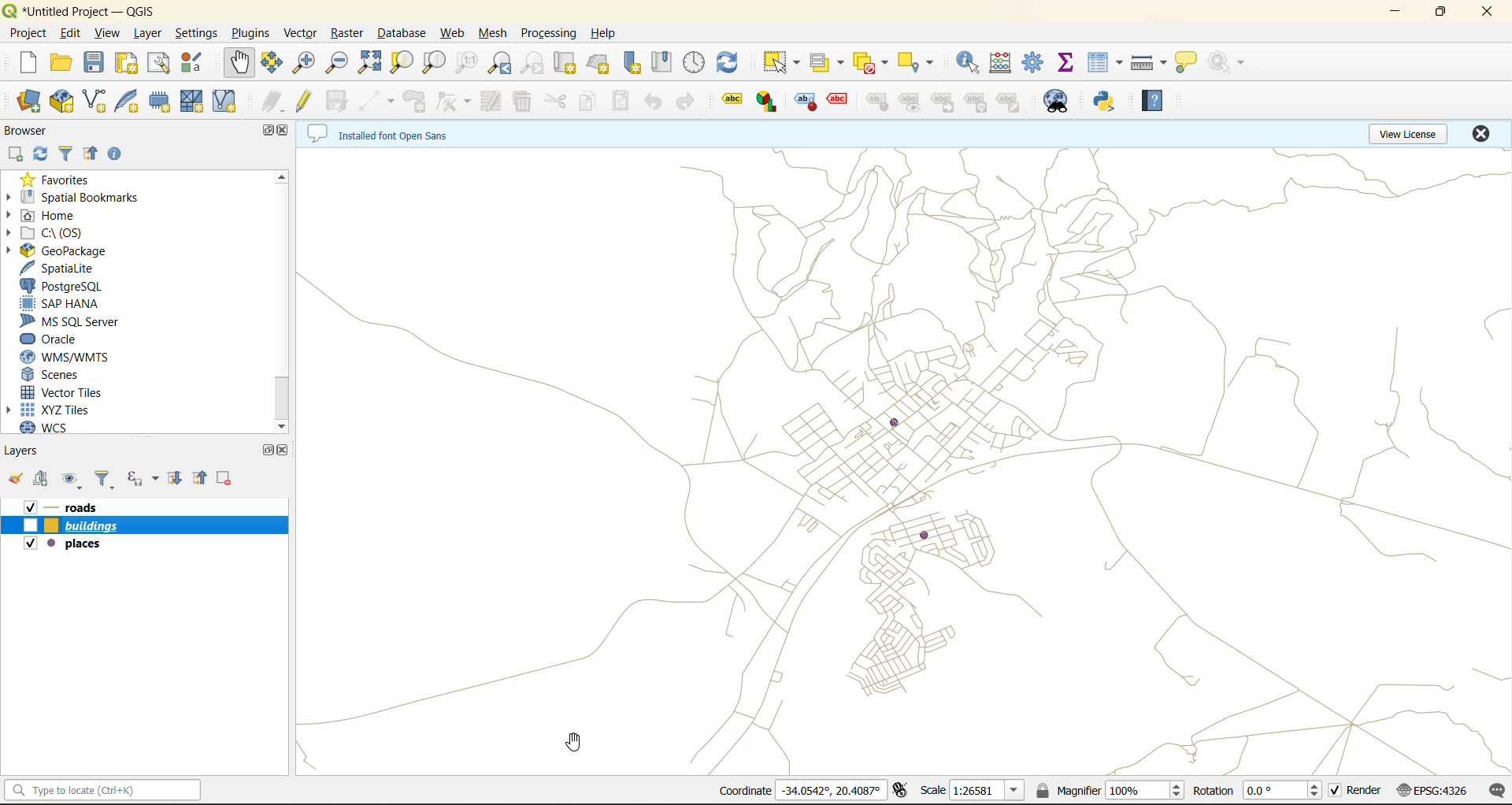  I want to click on zoom in, so click(302, 63).